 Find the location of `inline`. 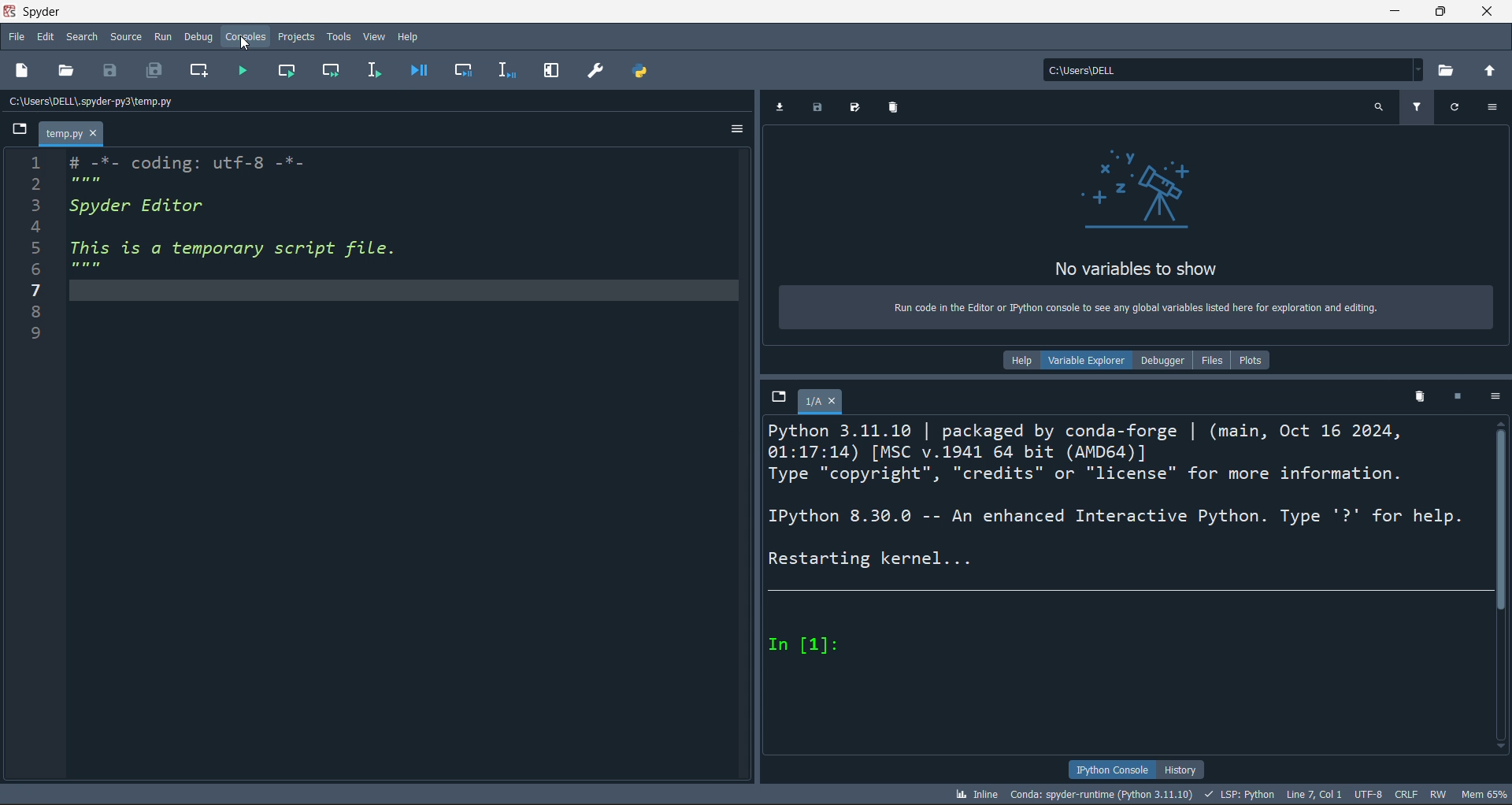

inline is located at coordinates (976, 795).